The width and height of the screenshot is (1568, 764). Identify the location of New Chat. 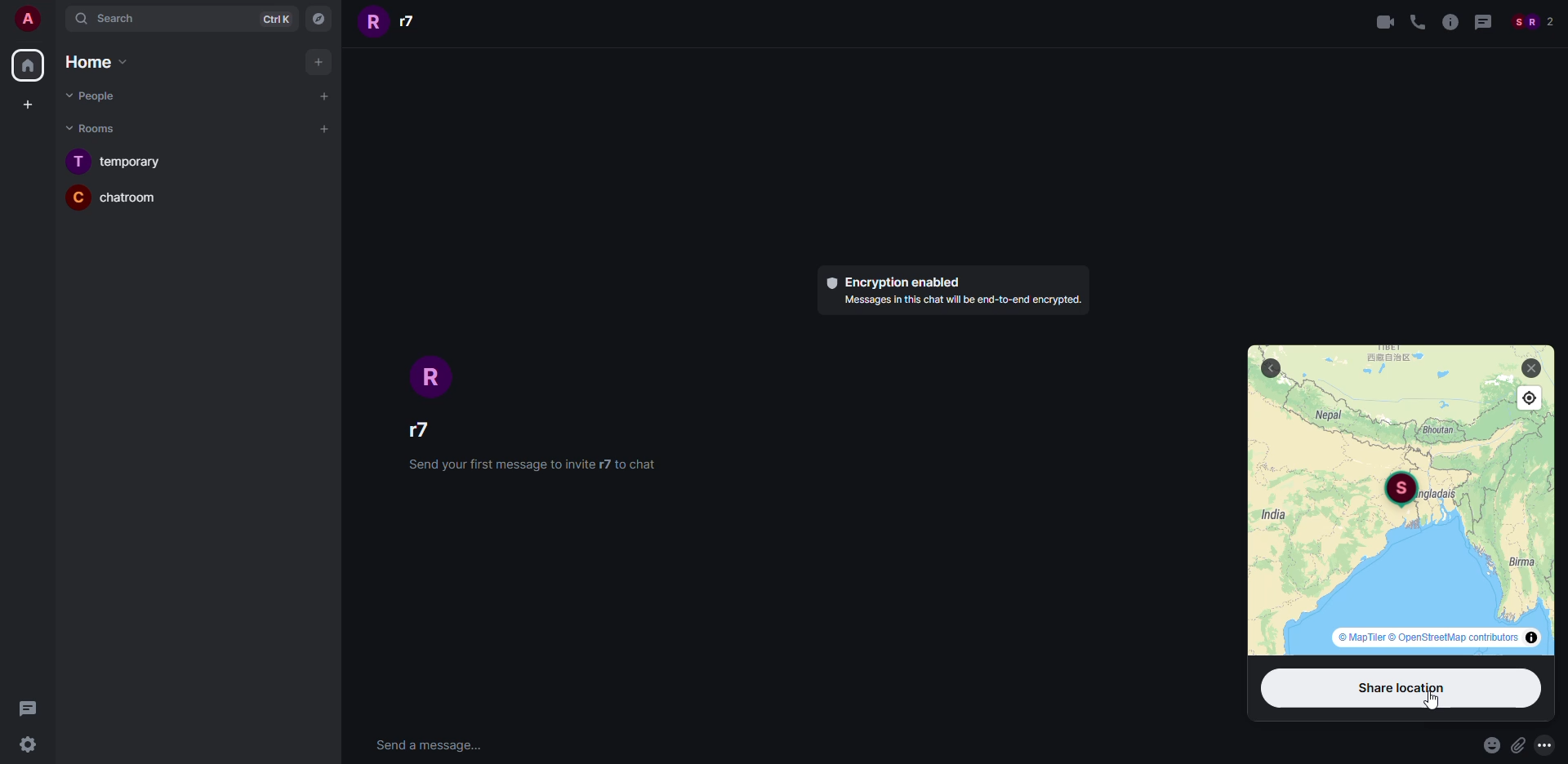
(325, 96).